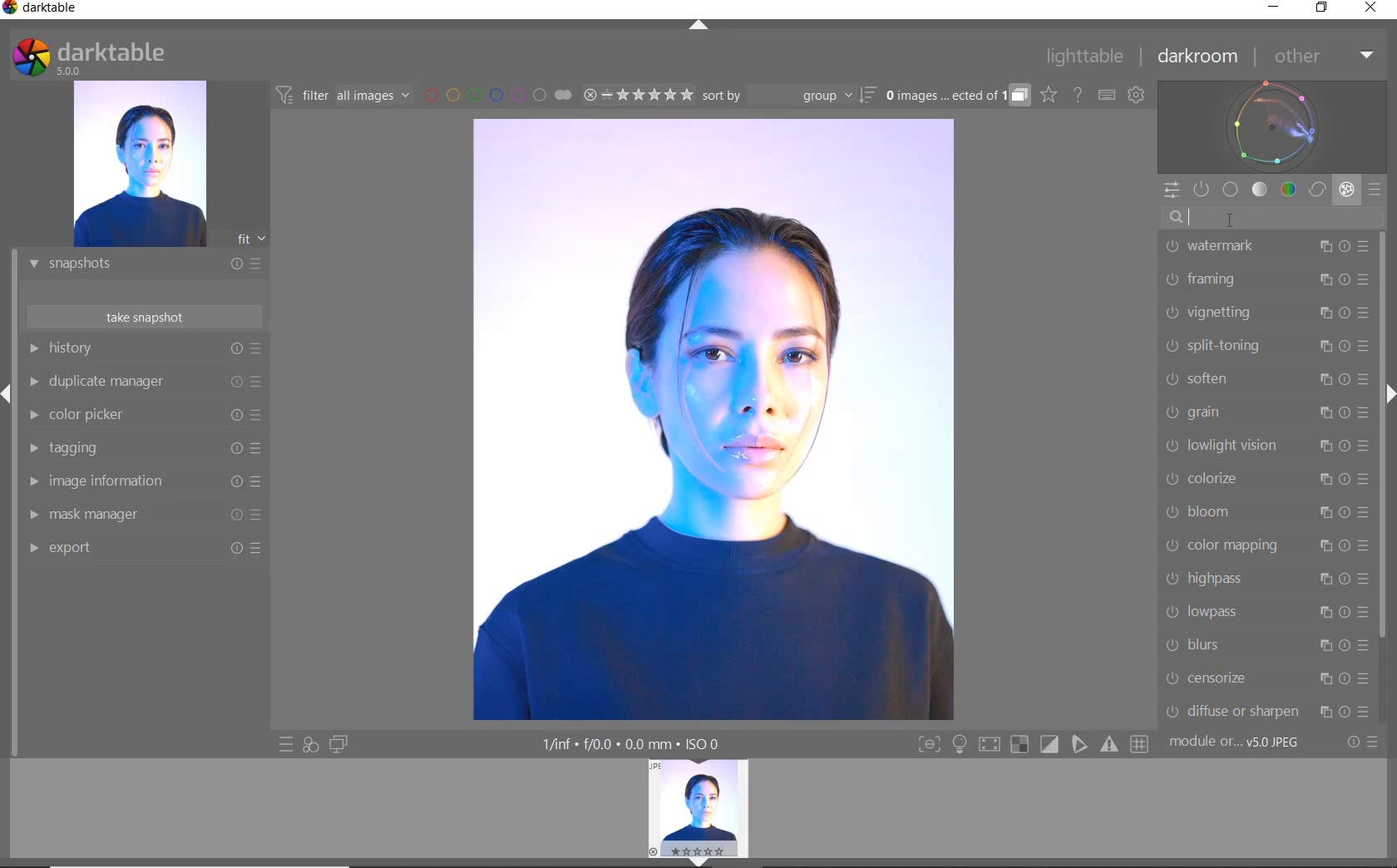 This screenshot has width=1397, height=868. I want to click on MASK MANAGER, so click(137, 515).